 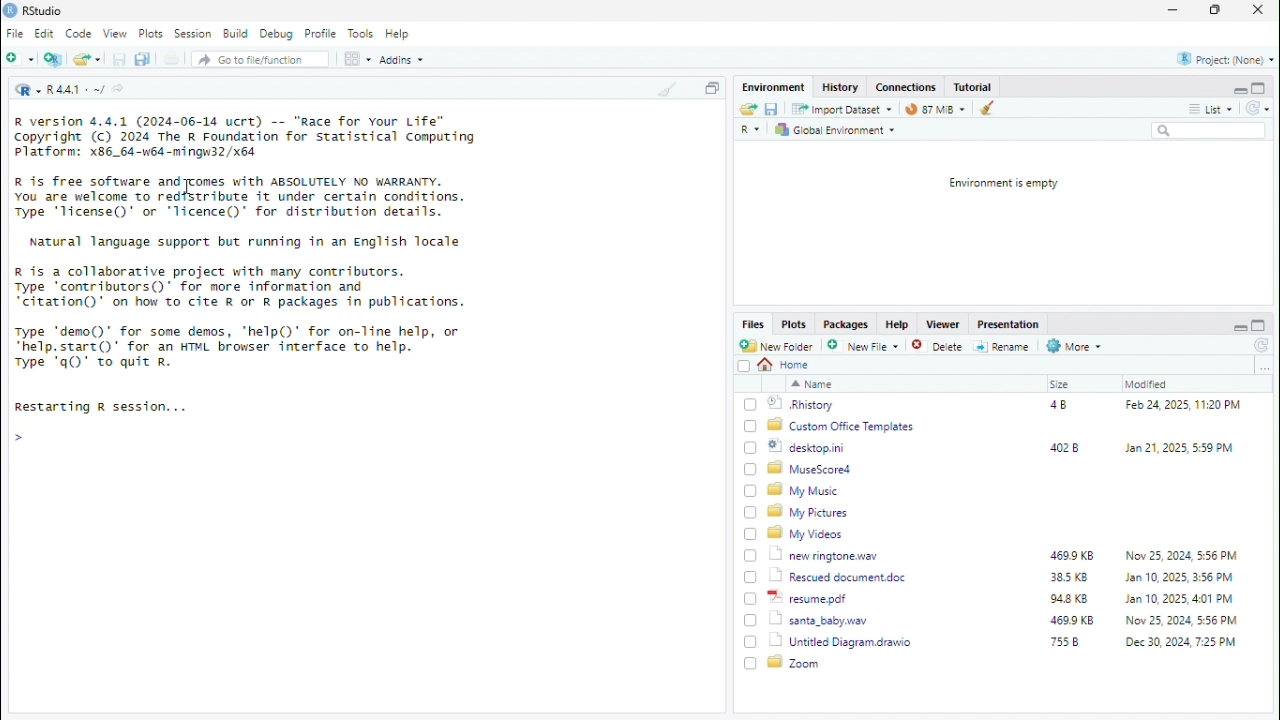 I want to click on New folder , so click(x=20, y=57).